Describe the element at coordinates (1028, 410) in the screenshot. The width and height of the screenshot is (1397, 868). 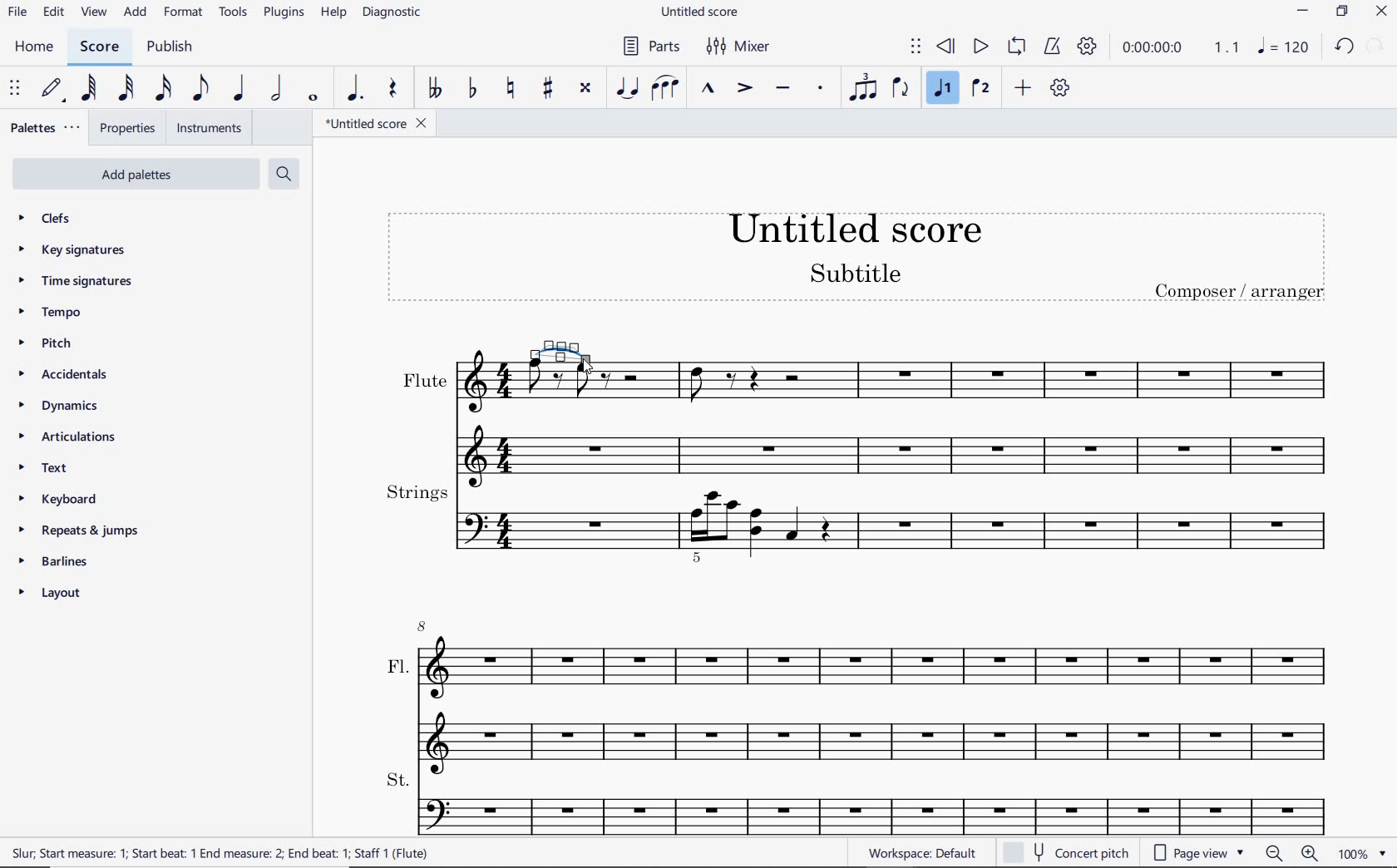
I see `Flute` at that location.